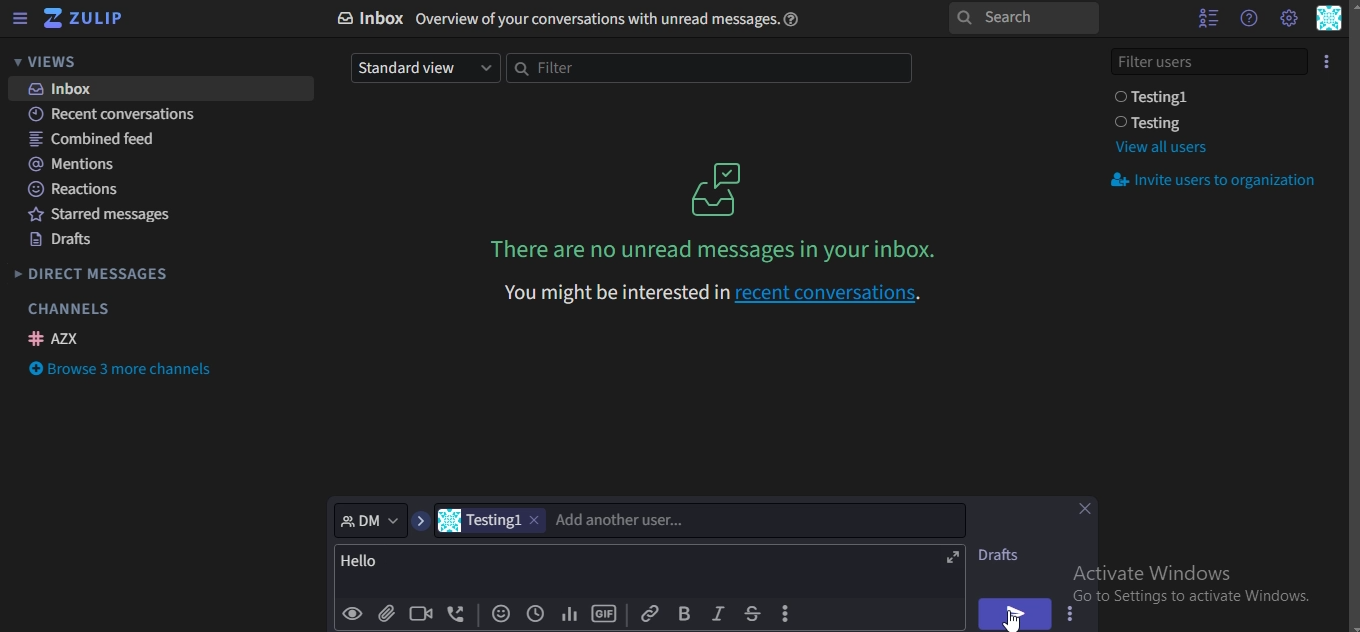 This screenshot has height=632, width=1360. Describe the element at coordinates (684, 613) in the screenshot. I see `vold` at that location.